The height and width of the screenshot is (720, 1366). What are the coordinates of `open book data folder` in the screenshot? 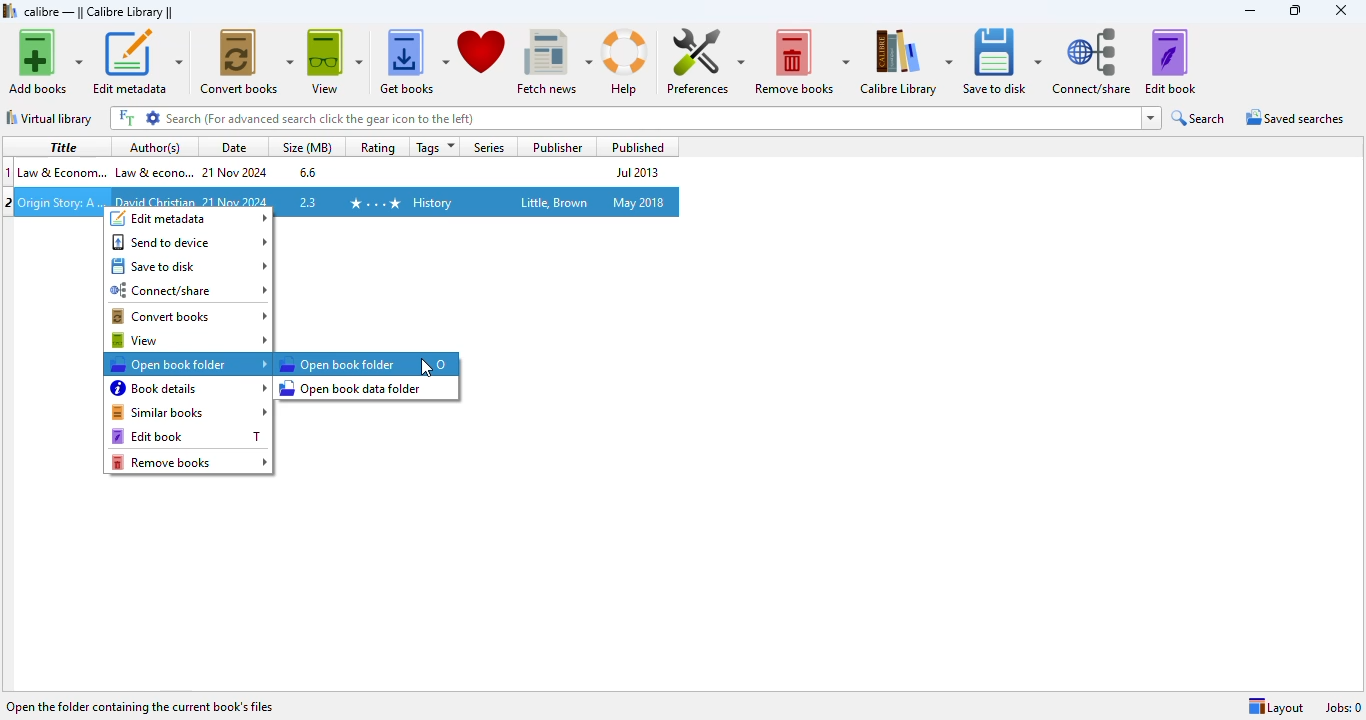 It's located at (352, 387).